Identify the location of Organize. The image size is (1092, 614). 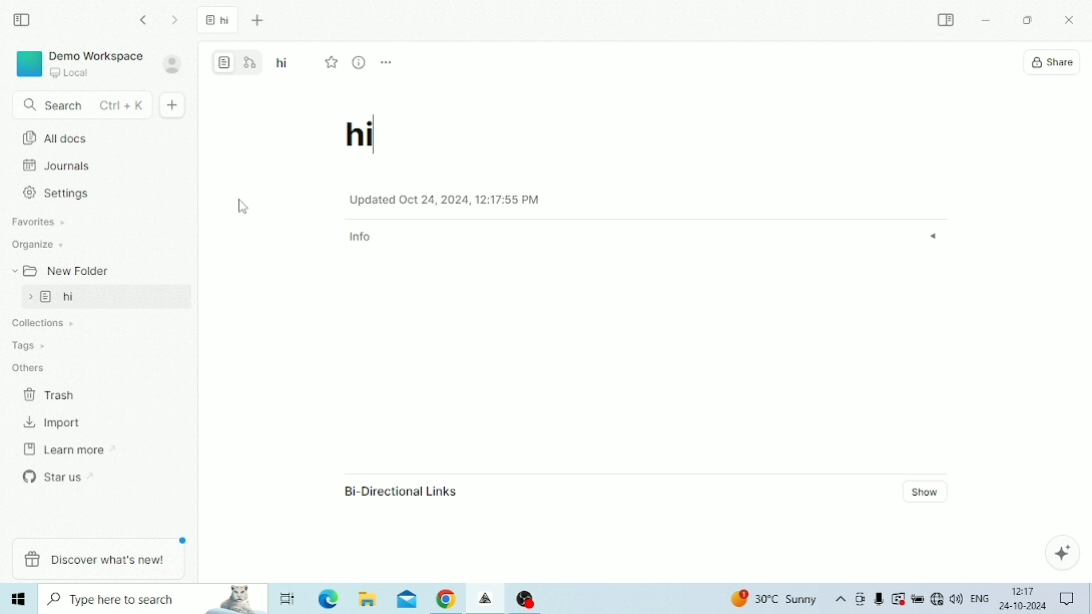
(39, 245).